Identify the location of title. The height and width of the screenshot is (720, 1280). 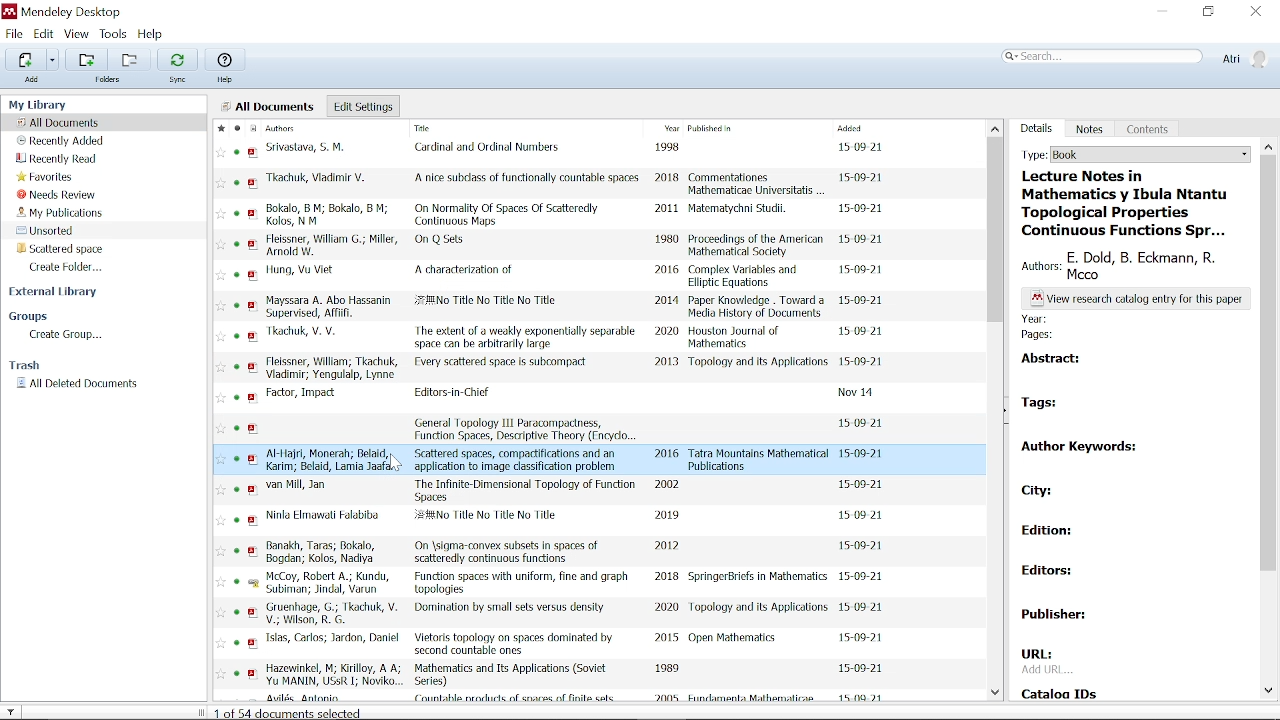
(527, 428).